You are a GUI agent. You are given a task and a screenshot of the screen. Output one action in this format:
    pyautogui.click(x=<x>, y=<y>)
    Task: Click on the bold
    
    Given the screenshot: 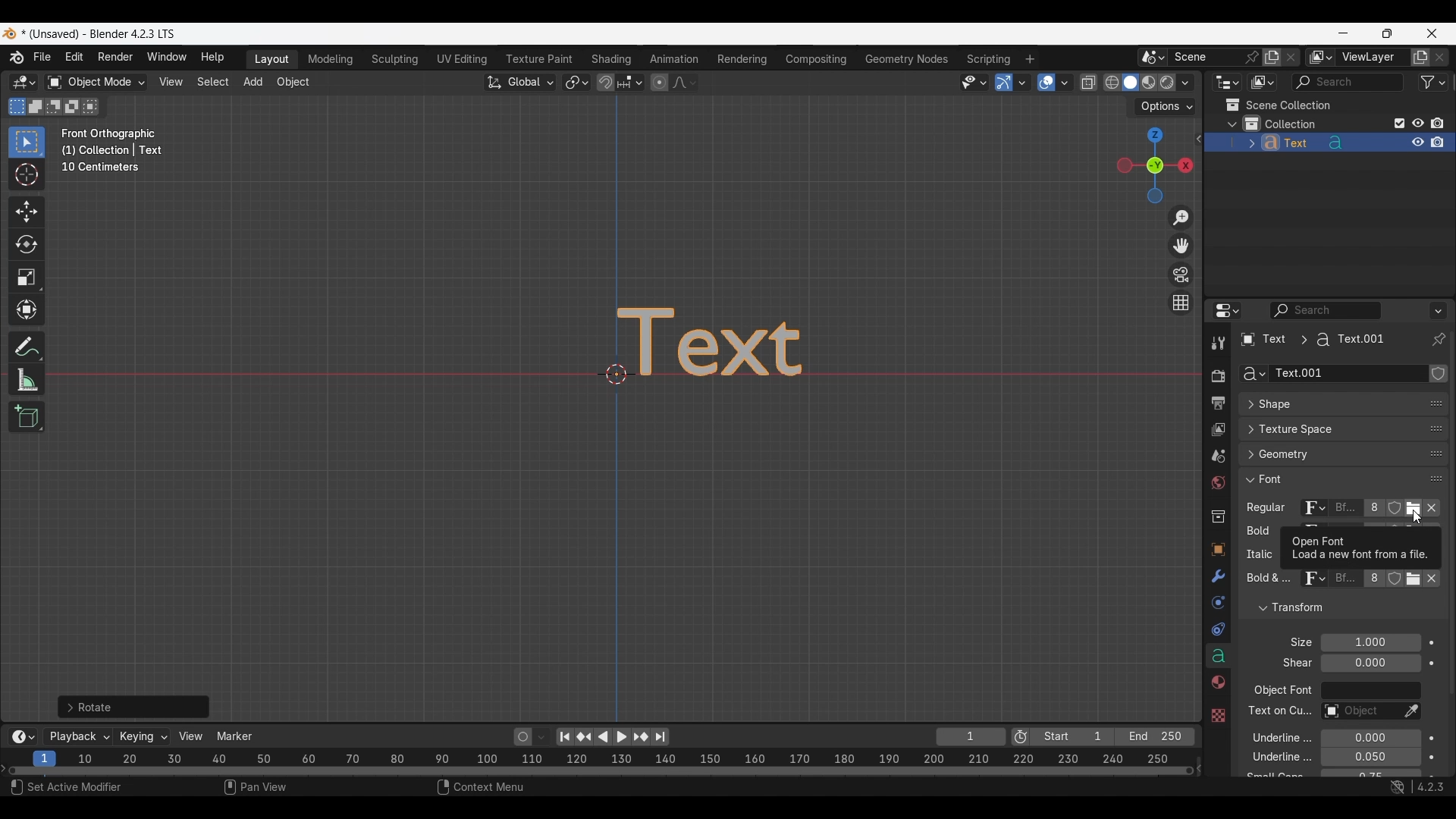 What is the action you would take?
    pyautogui.click(x=1255, y=534)
    